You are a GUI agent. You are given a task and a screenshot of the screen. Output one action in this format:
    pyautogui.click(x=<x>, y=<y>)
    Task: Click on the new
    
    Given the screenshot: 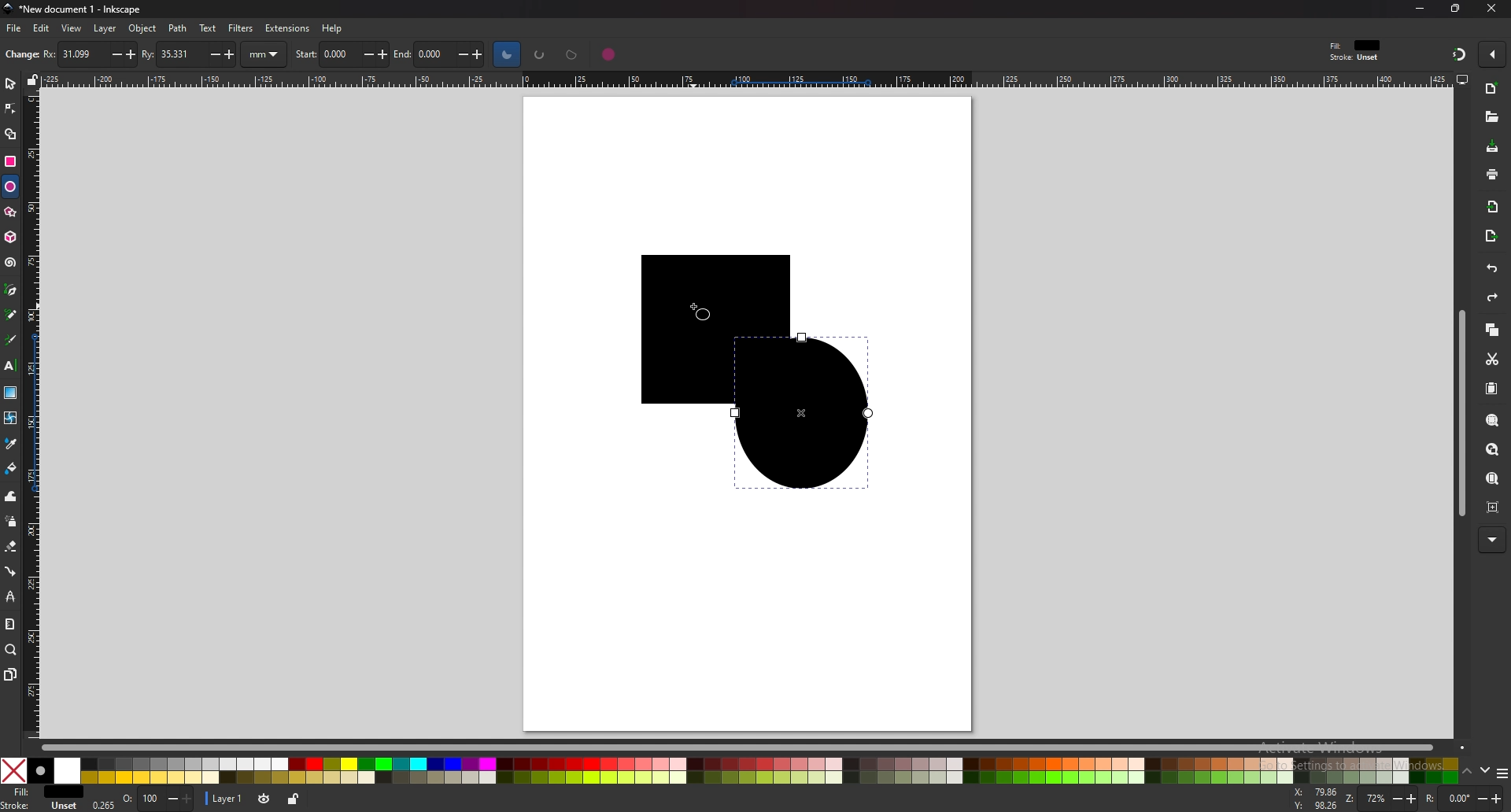 What is the action you would take?
    pyautogui.click(x=1491, y=88)
    